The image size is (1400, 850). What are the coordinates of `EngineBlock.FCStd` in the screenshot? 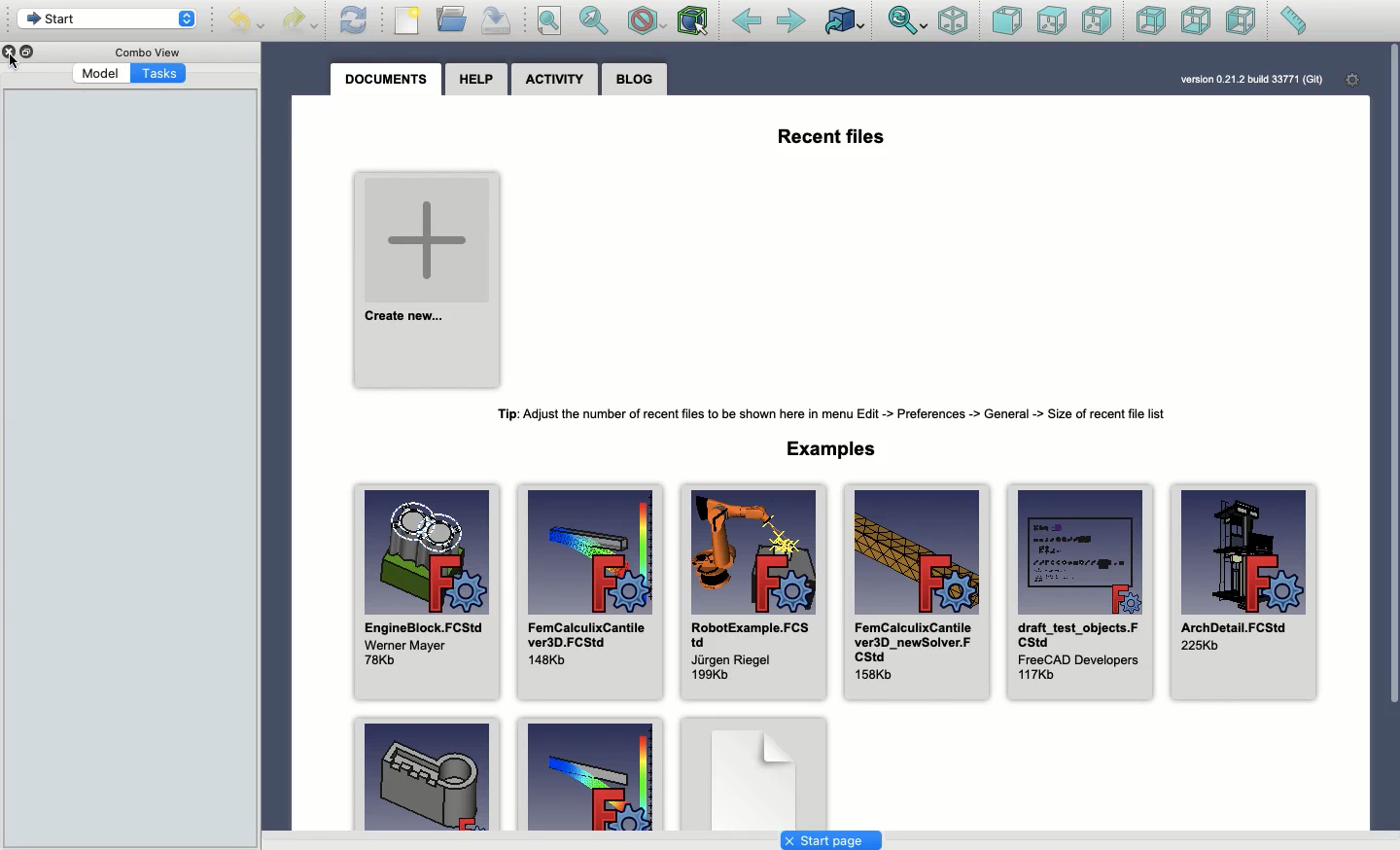 It's located at (431, 592).